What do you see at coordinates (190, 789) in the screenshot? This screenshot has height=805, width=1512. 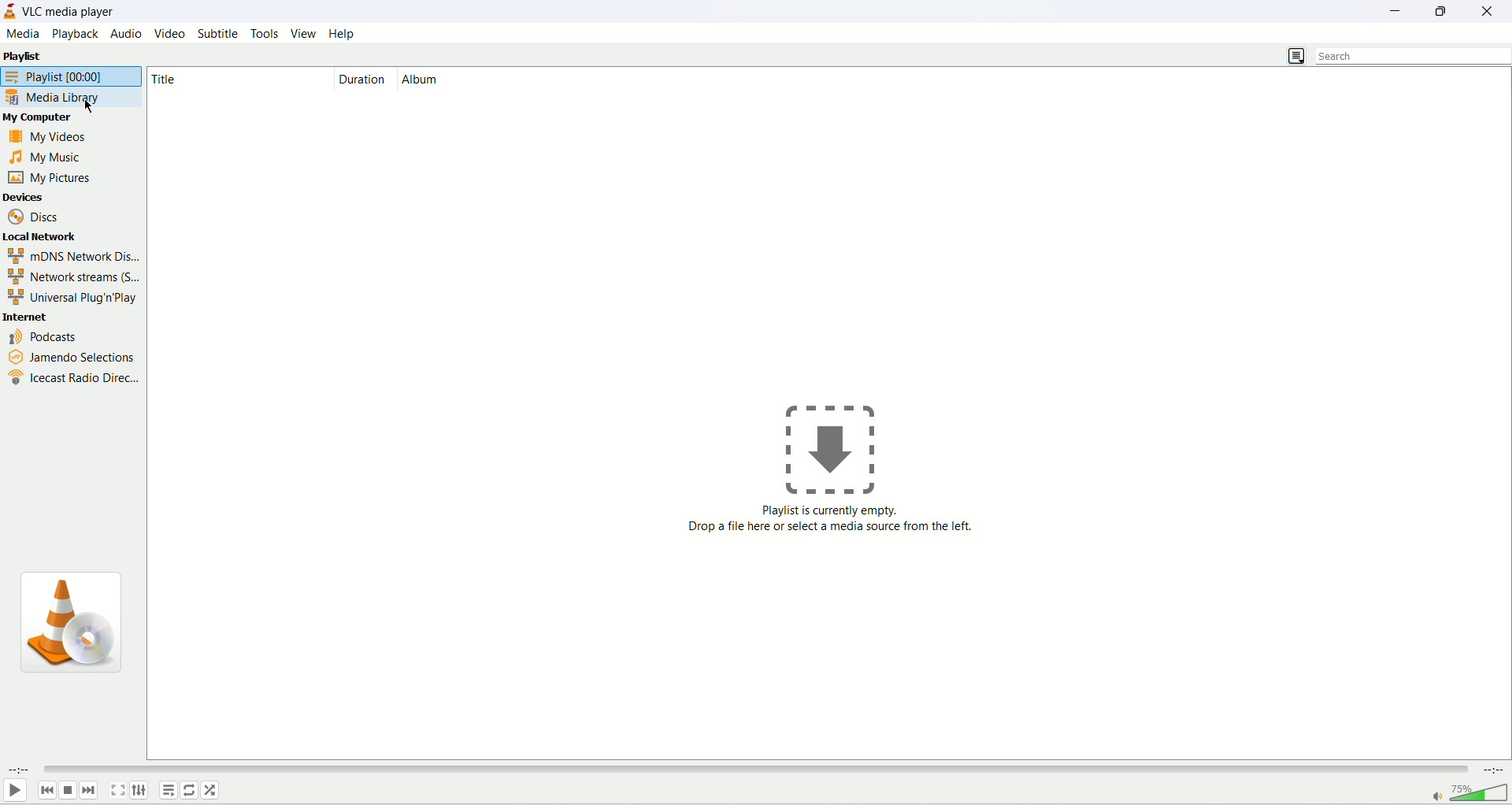 I see `toggle loop` at bounding box center [190, 789].